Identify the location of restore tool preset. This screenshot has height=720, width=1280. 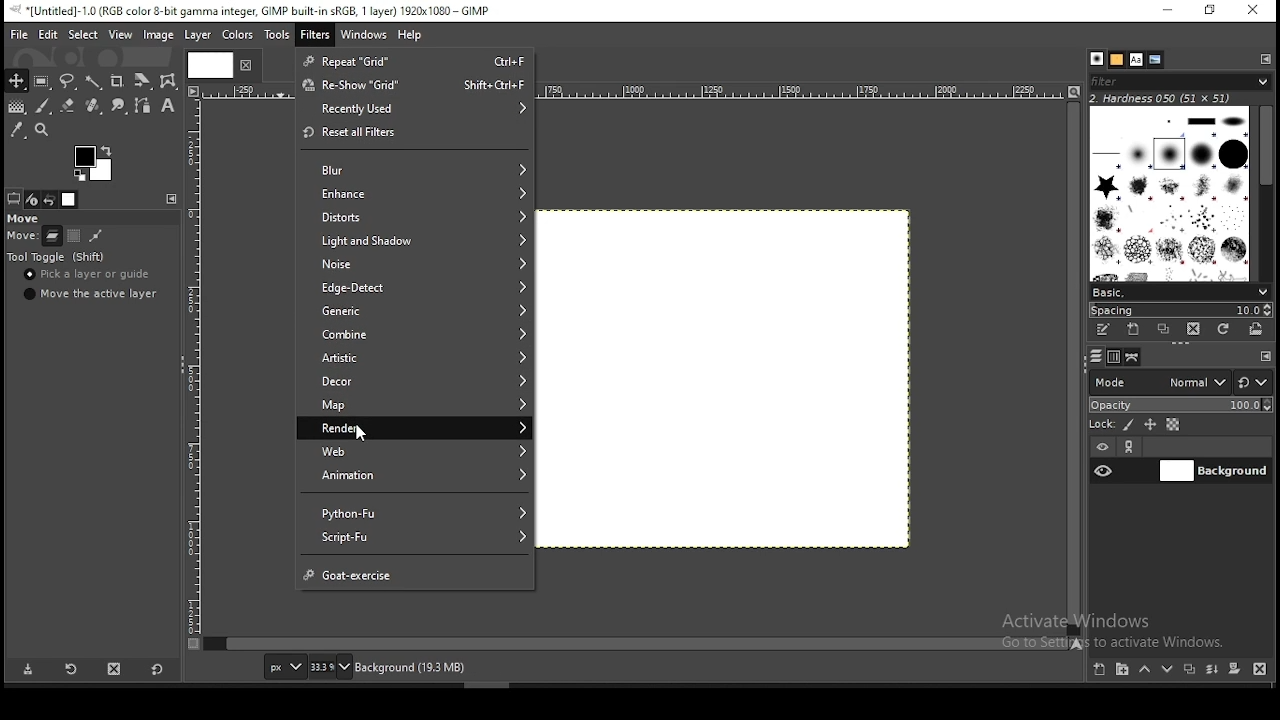
(75, 668).